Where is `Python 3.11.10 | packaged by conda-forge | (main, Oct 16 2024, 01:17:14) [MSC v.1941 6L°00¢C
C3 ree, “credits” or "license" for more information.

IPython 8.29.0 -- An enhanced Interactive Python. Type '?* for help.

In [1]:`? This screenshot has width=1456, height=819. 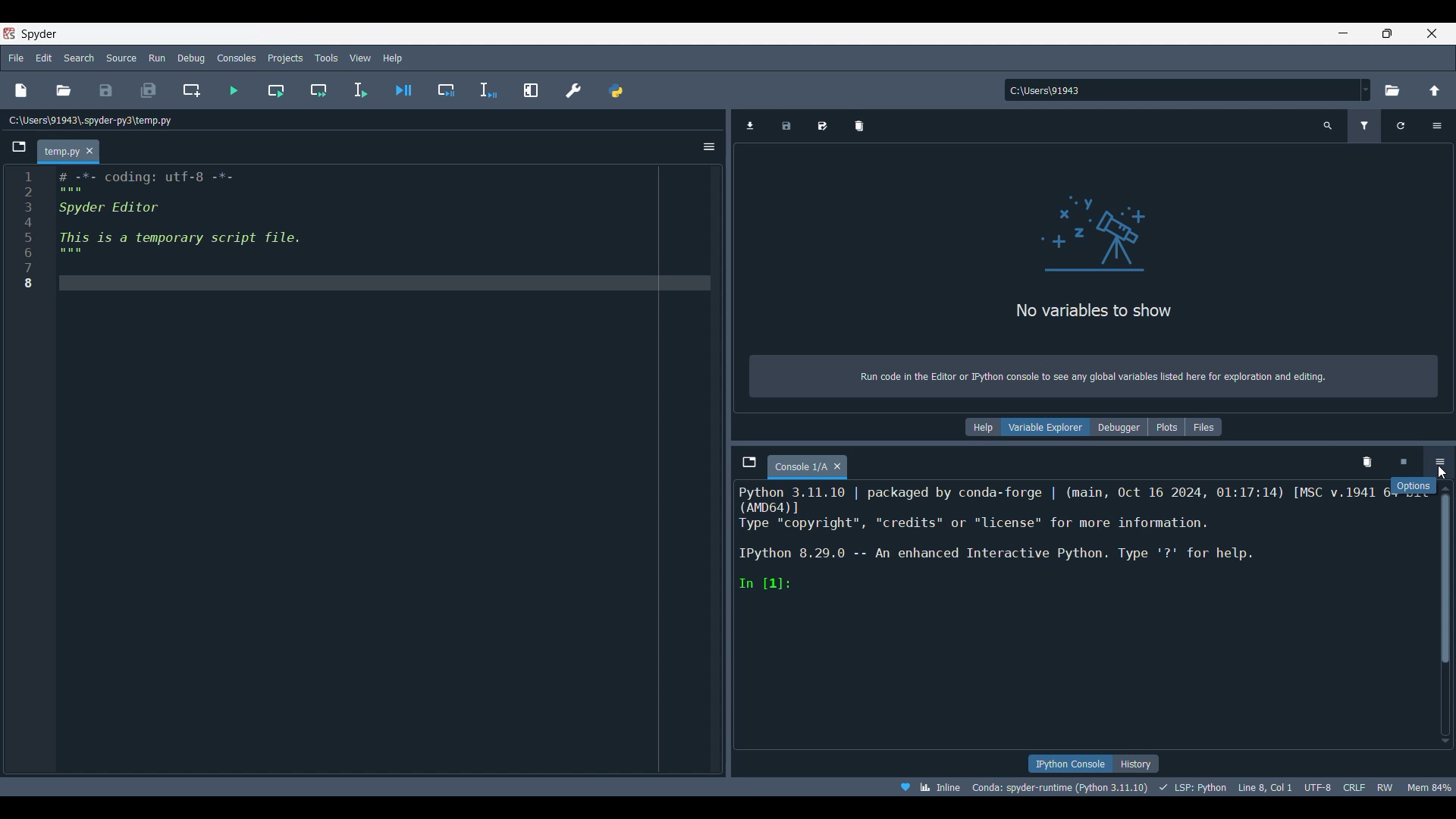
Python 3.11.10 | packaged by conda-forge | (main, Oct 16 2024, 01:17:14) [MSC v.1941 6L°00¢C
C3 ree, “credits” or "license" for more information.

IPython 8.29.0 -- An enhanced Interactive Python. Type '?* for help.

In [1]: is located at coordinates (1079, 556).